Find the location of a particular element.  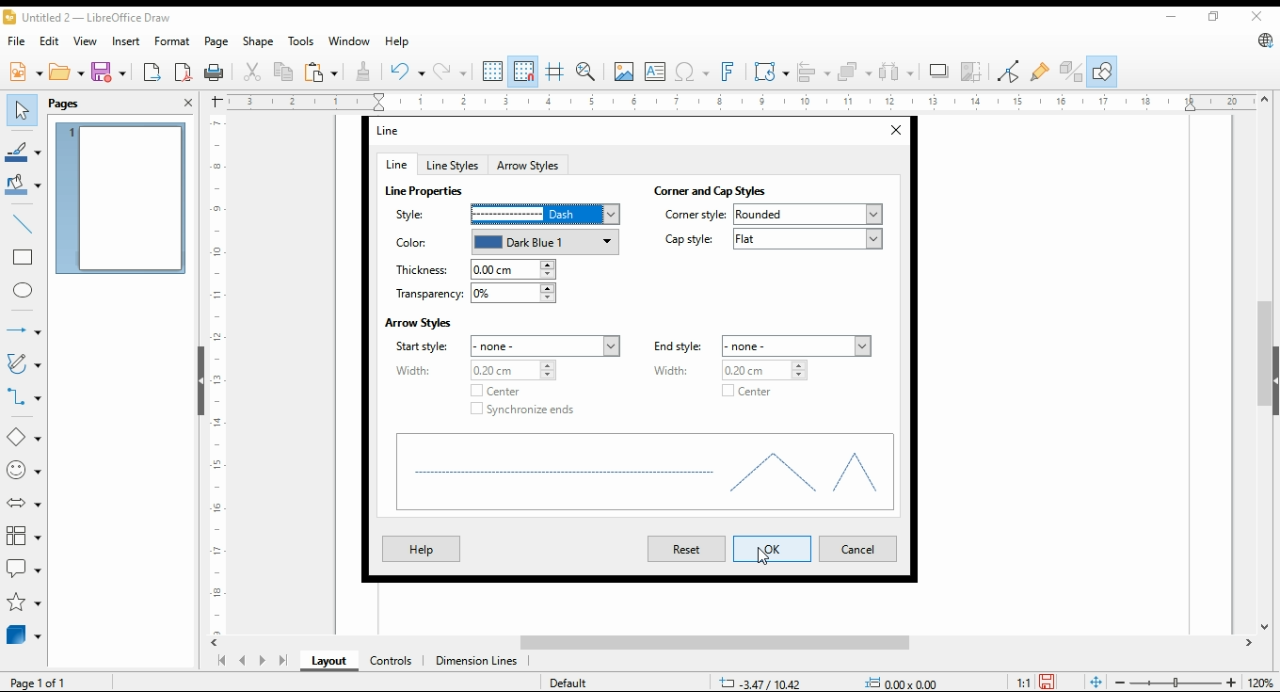

line pattern is located at coordinates (426, 191).